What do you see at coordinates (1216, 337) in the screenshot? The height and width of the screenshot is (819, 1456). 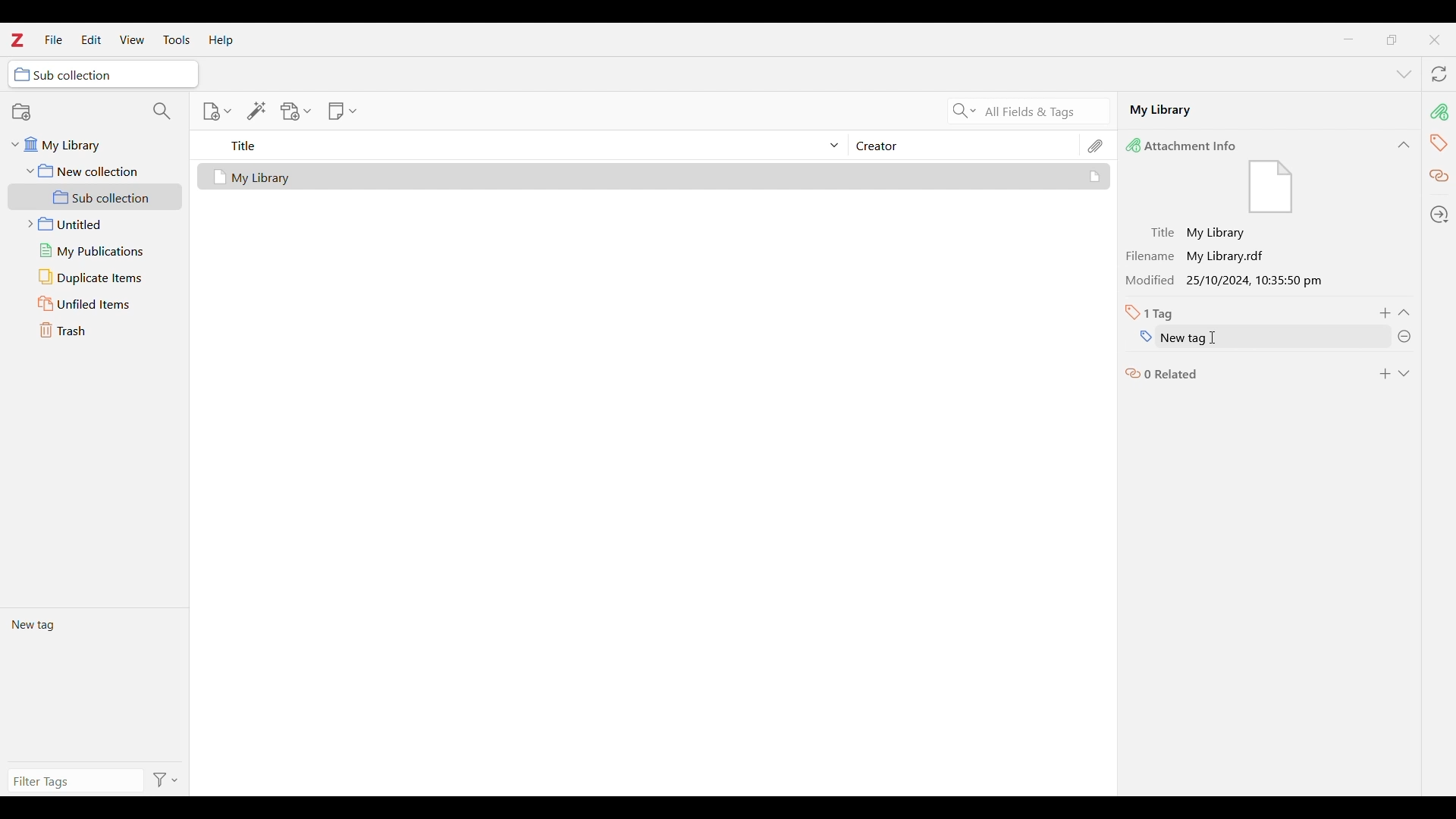 I see `Cursor` at bounding box center [1216, 337].